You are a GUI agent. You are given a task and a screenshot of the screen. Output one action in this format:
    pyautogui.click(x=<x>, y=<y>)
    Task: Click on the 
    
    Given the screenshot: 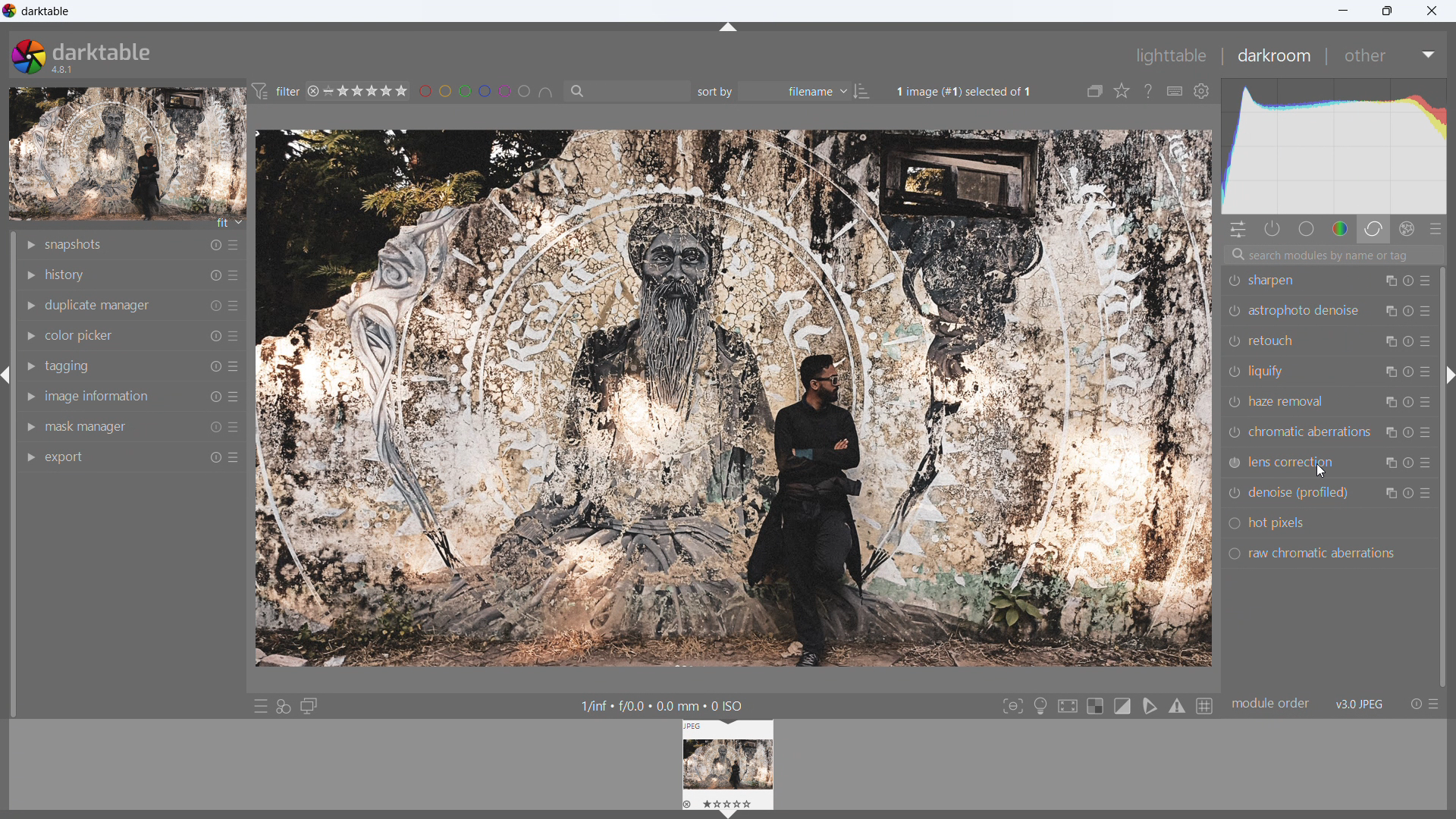 What is the action you would take?
    pyautogui.click(x=1391, y=480)
    